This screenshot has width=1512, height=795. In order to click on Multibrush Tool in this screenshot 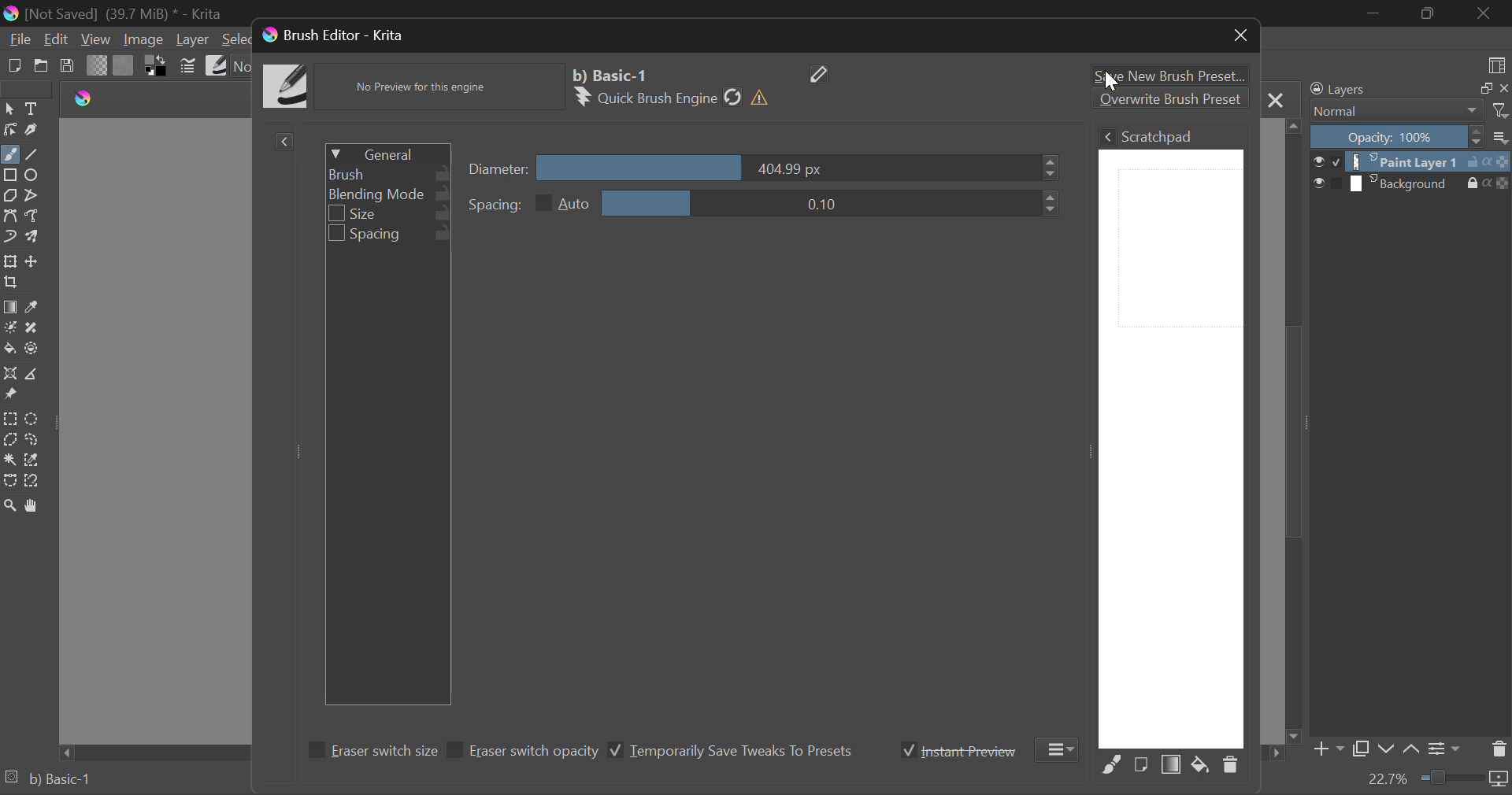, I will do `click(32, 237)`.